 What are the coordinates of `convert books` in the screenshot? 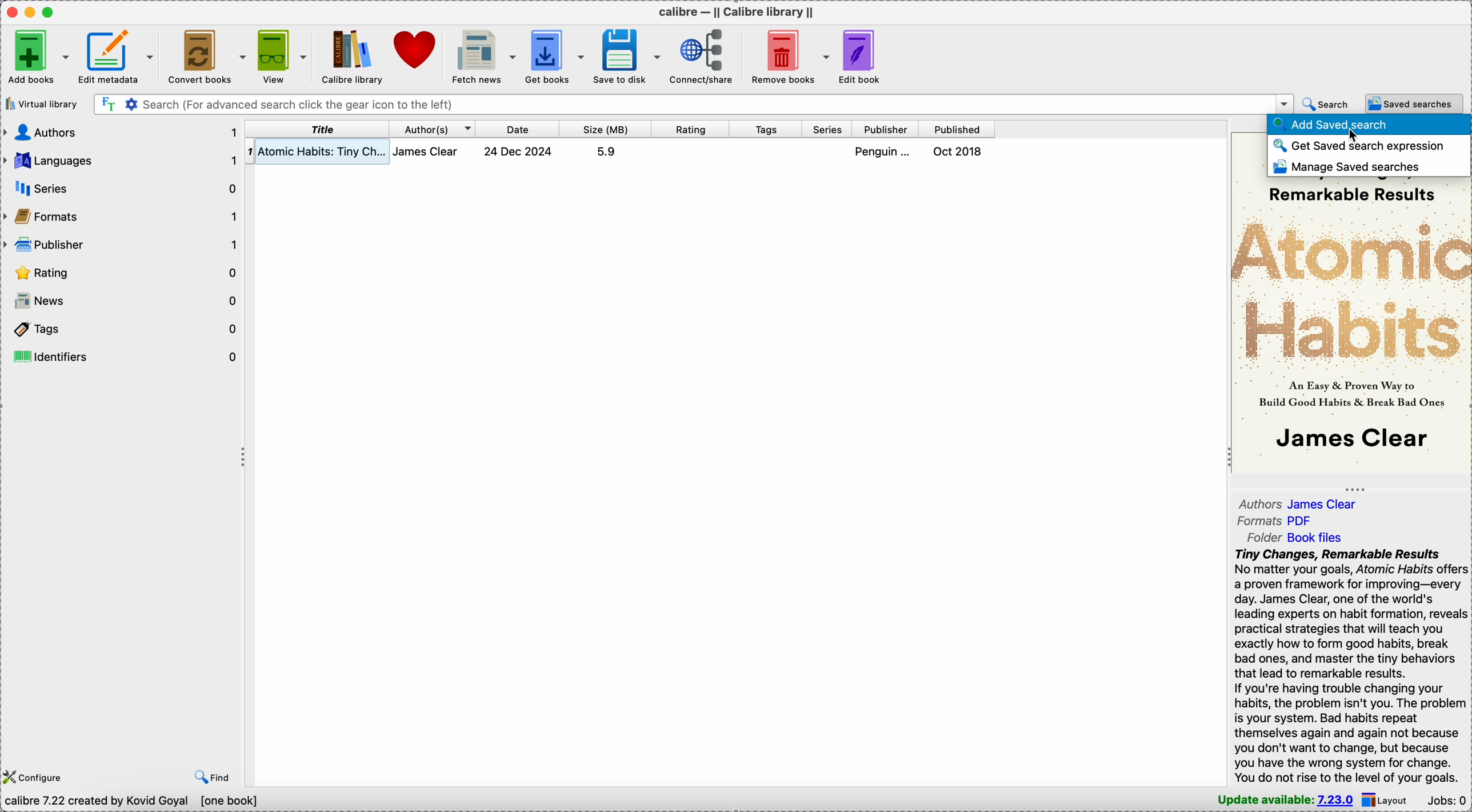 It's located at (205, 55).